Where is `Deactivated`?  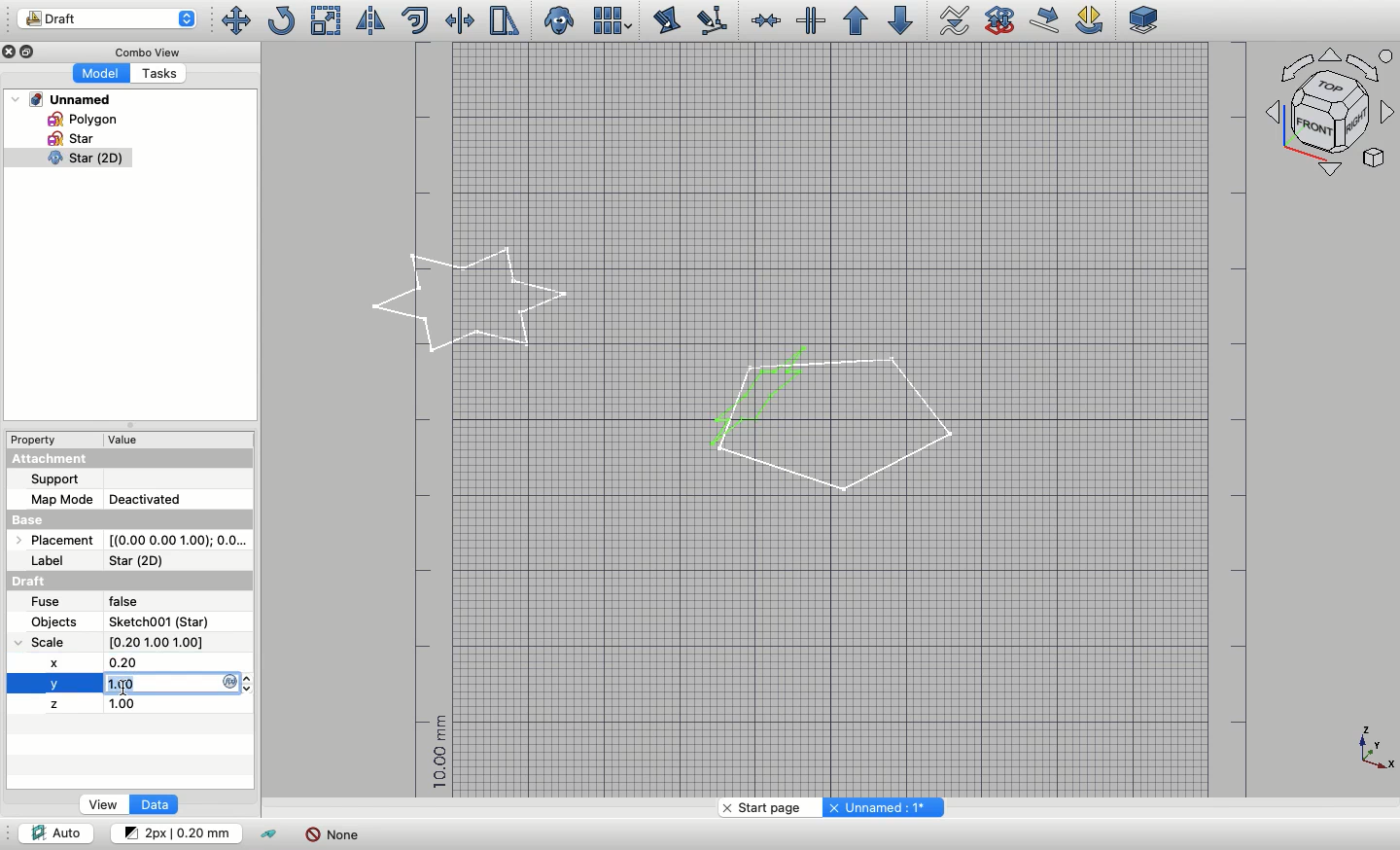 Deactivated is located at coordinates (162, 497).